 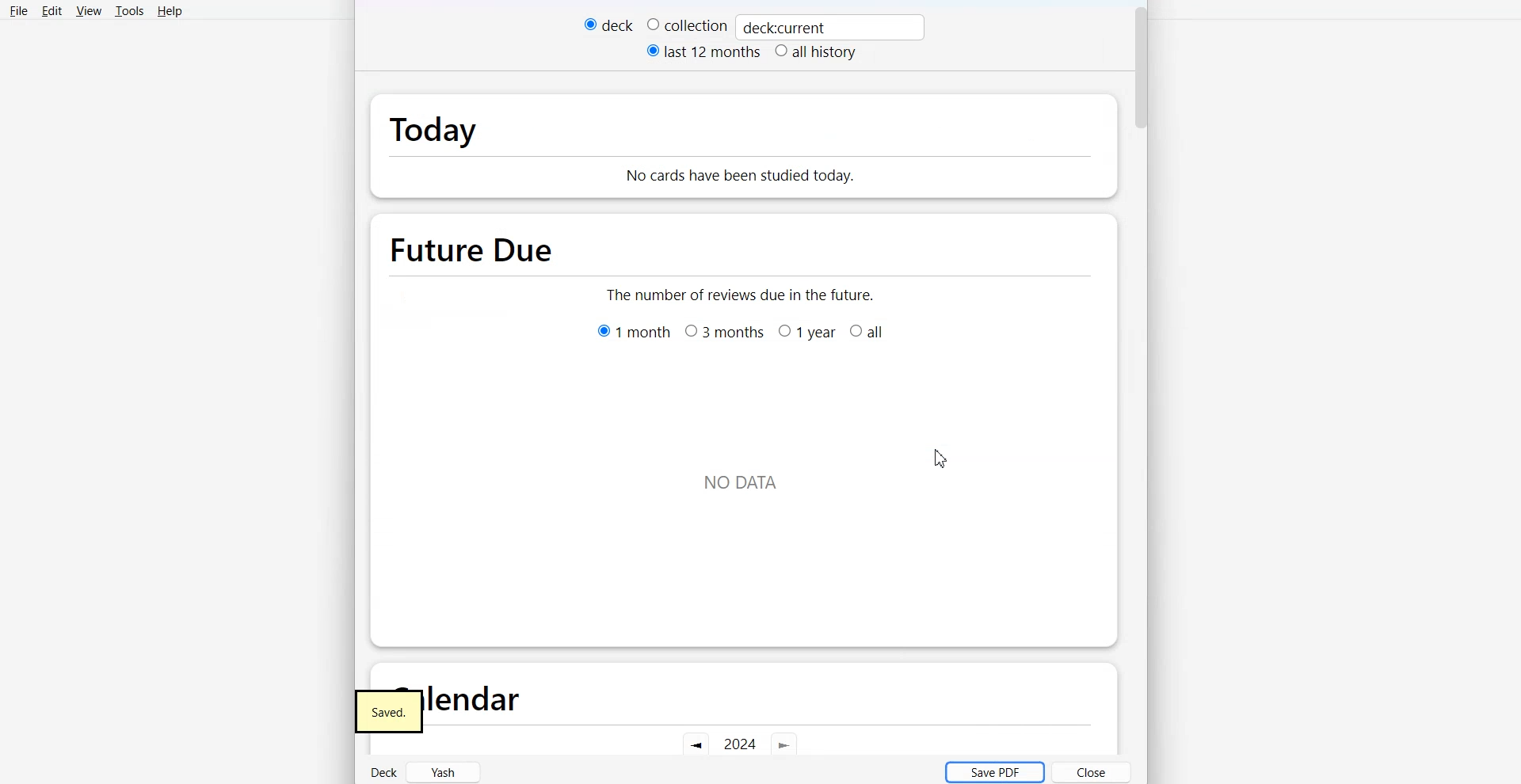 I want to click on 1 Month, so click(x=634, y=330).